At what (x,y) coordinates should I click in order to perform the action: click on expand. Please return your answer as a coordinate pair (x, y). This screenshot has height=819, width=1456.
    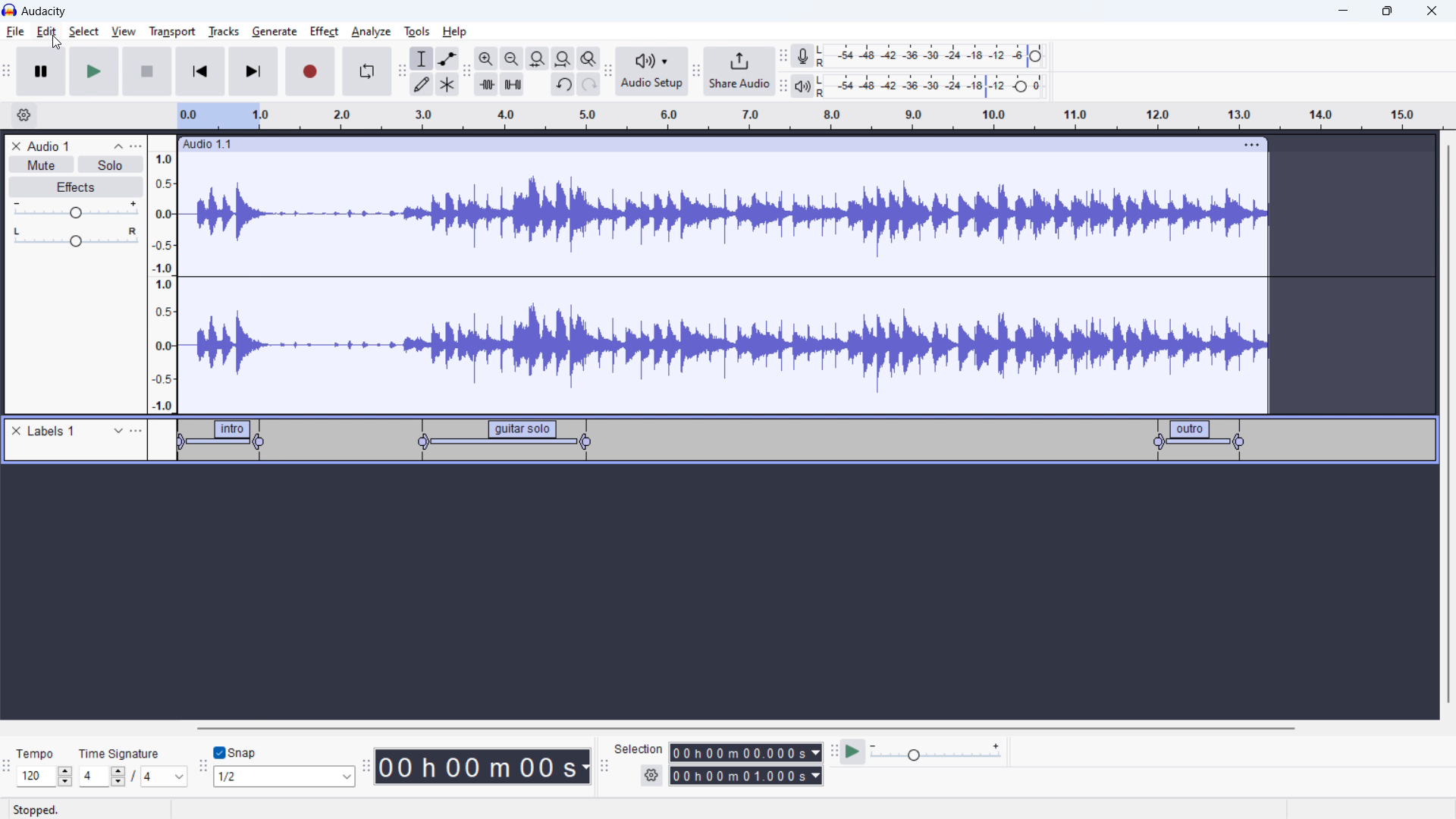
    Looking at the image, I should click on (118, 431).